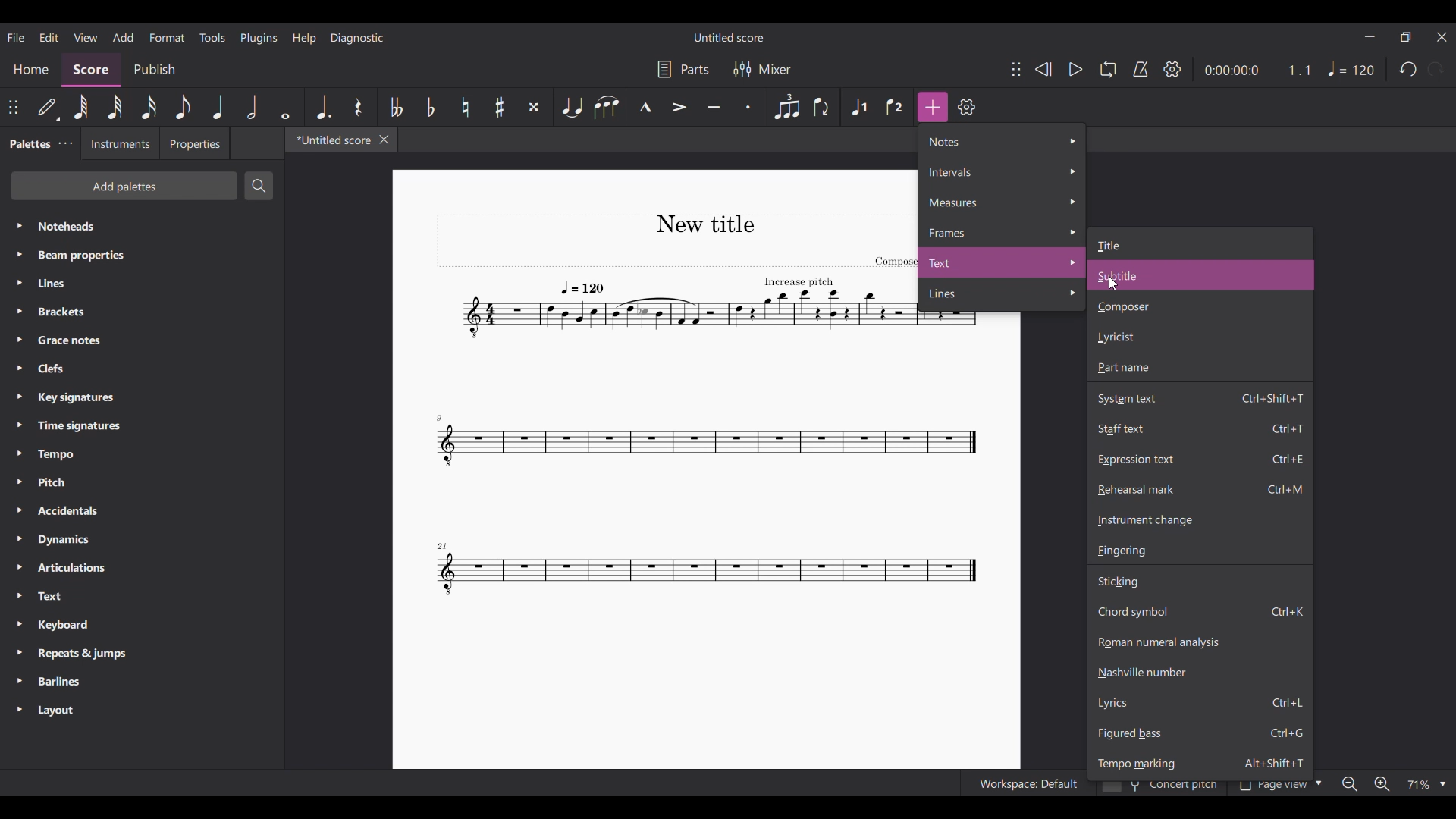  I want to click on Articulations, so click(143, 568).